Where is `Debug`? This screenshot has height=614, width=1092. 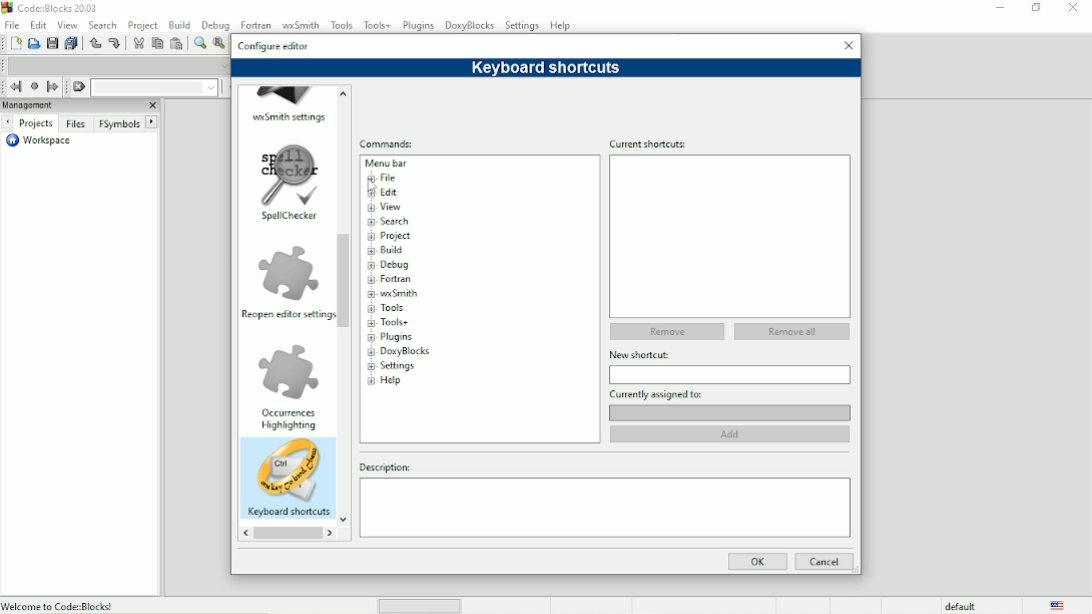 Debug is located at coordinates (214, 24).